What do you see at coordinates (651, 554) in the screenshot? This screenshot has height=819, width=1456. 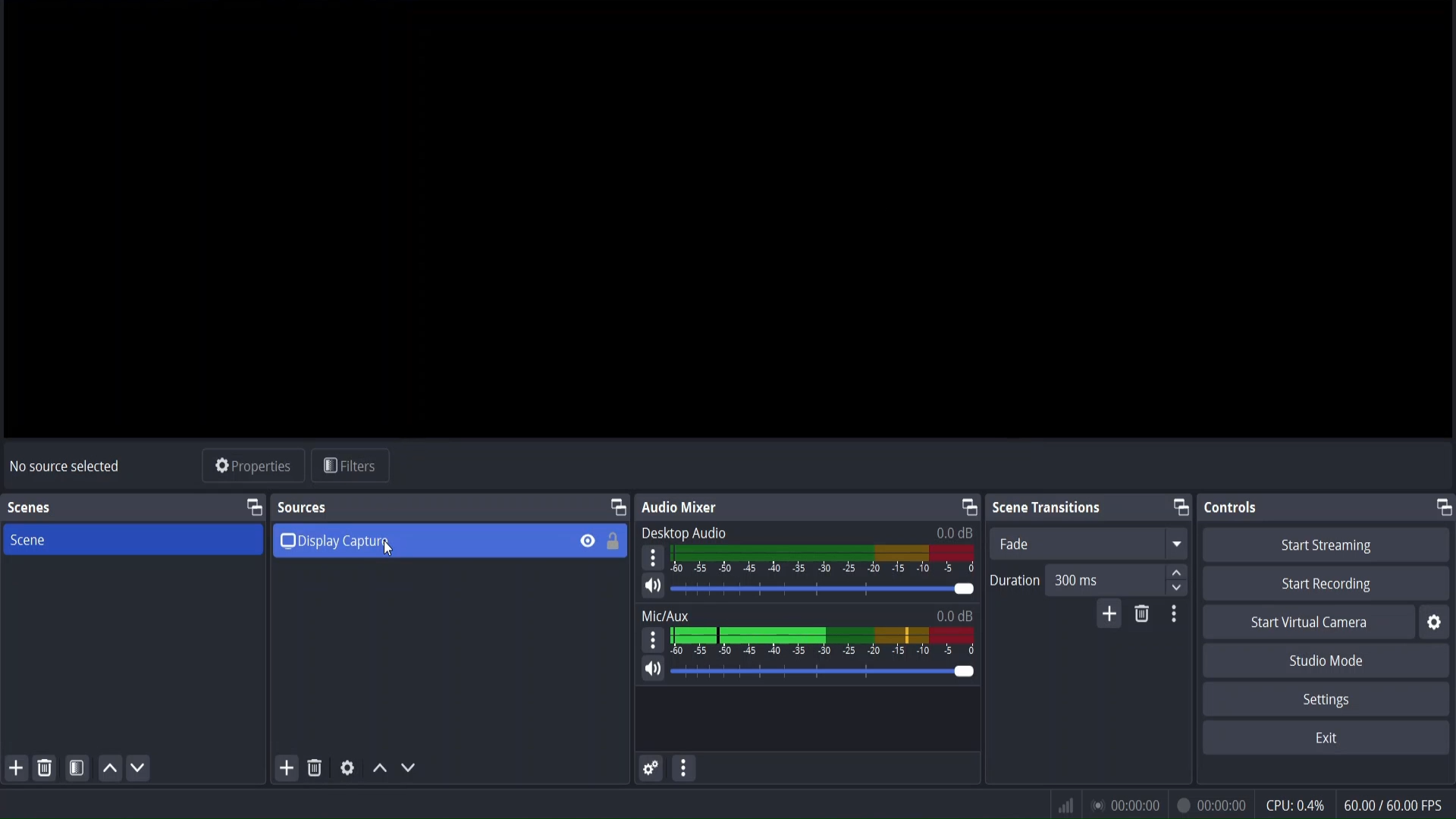 I see `settings` at bounding box center [651, 554].